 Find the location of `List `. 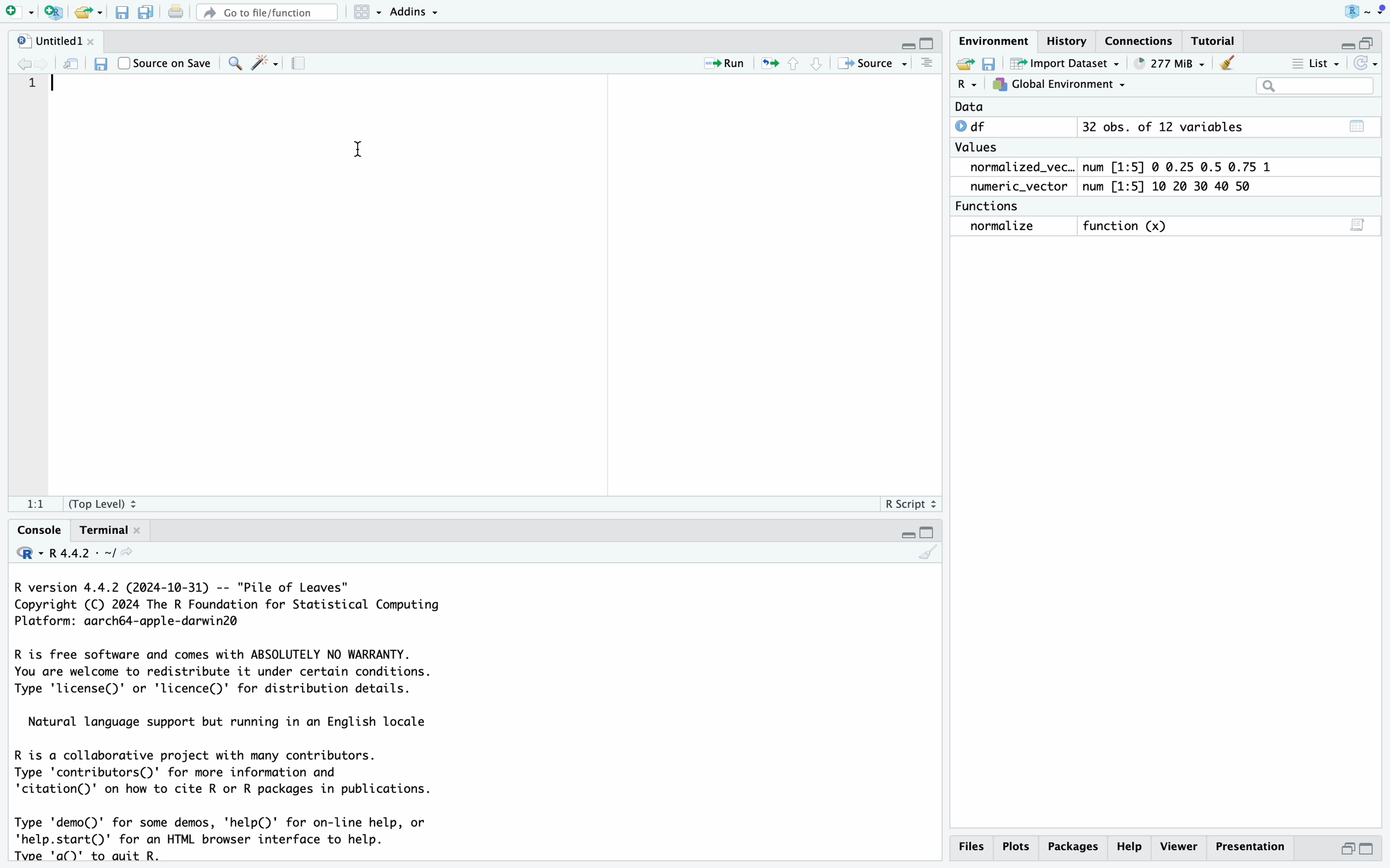

List  is located at coordinates (1317, 63).